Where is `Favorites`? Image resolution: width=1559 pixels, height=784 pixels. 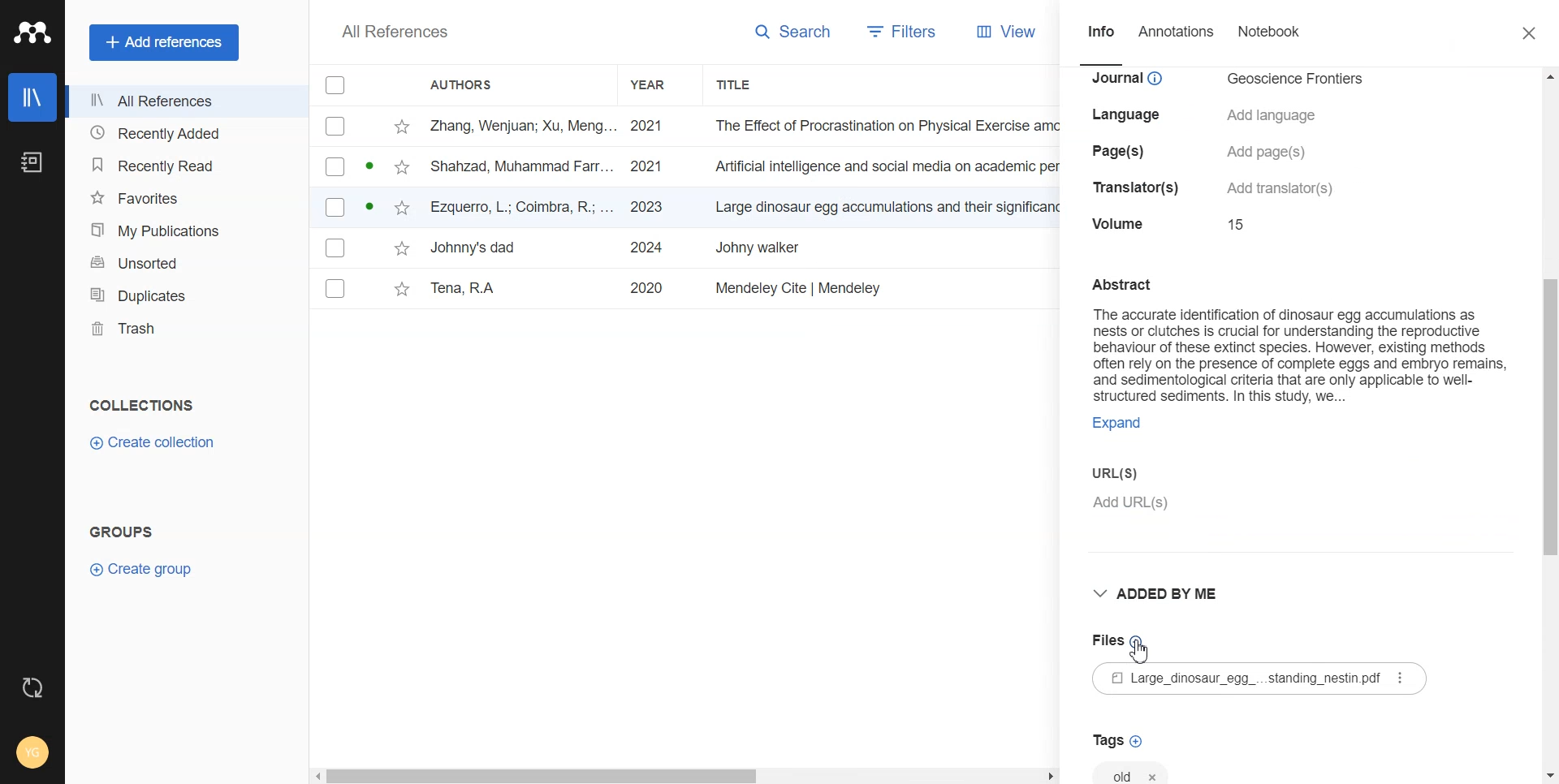 Favorites is located at coordinates (184, 198).